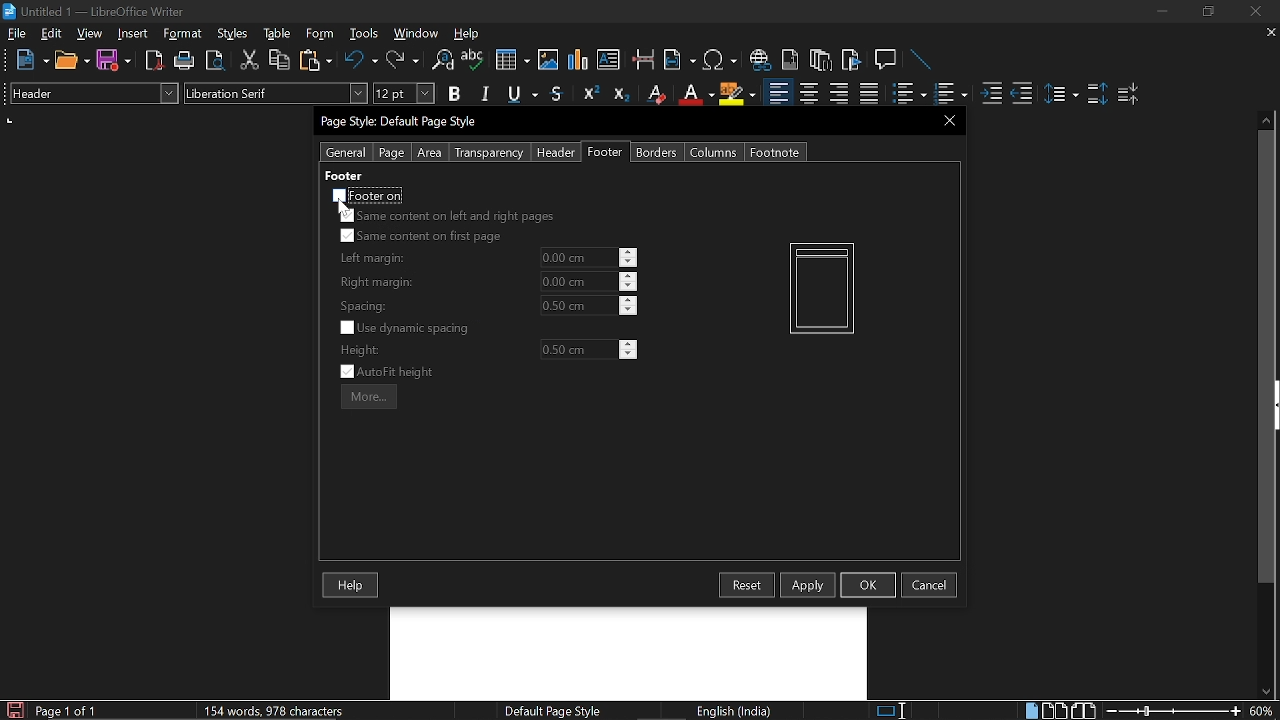  Describe the element at coordinates (408, 328) in the screenshot. I see `Use dynamic spacing` at that location.